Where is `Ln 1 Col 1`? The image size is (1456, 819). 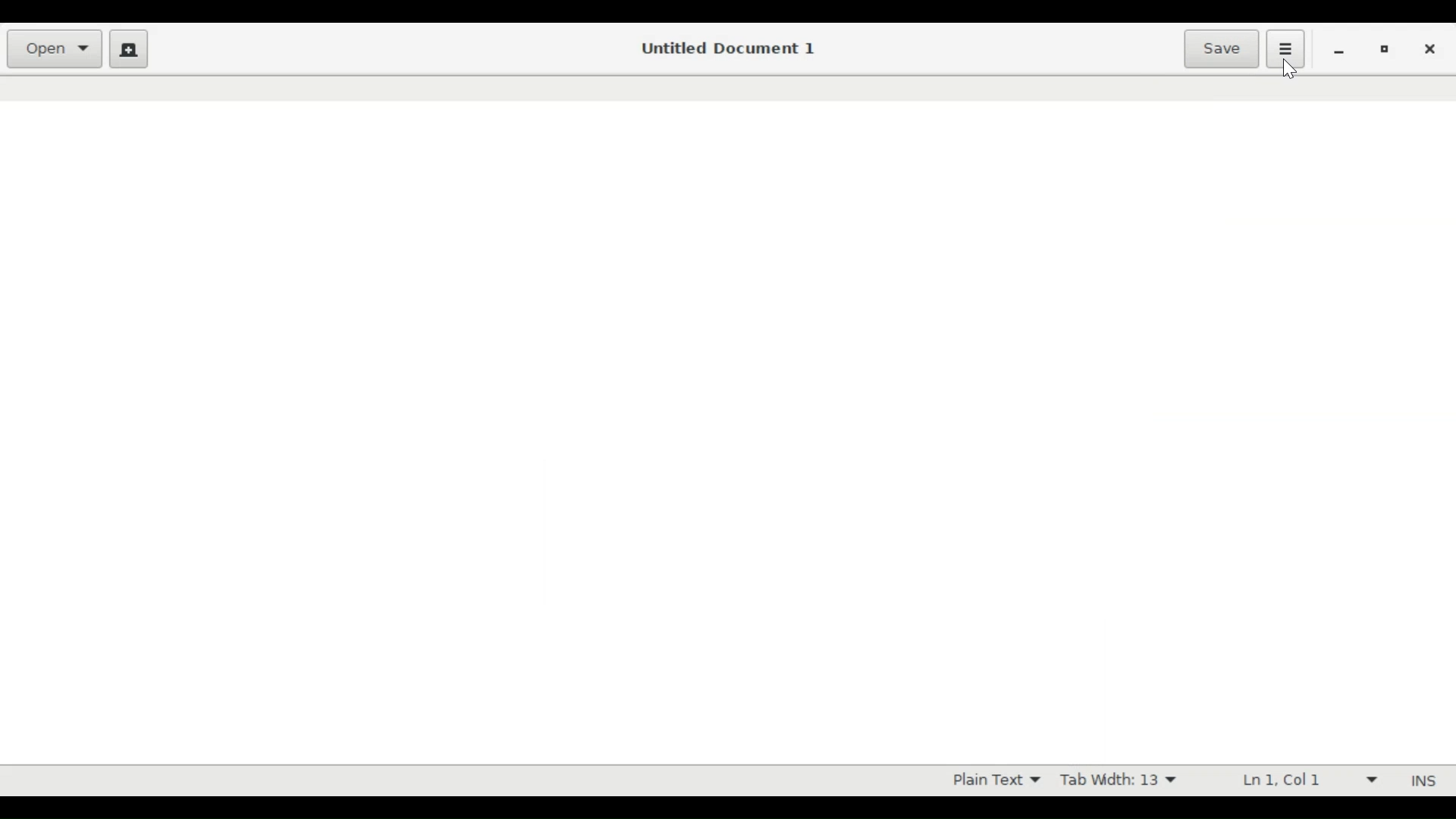
Ln 1 Col 1 is located at coordinates (1308, 781).